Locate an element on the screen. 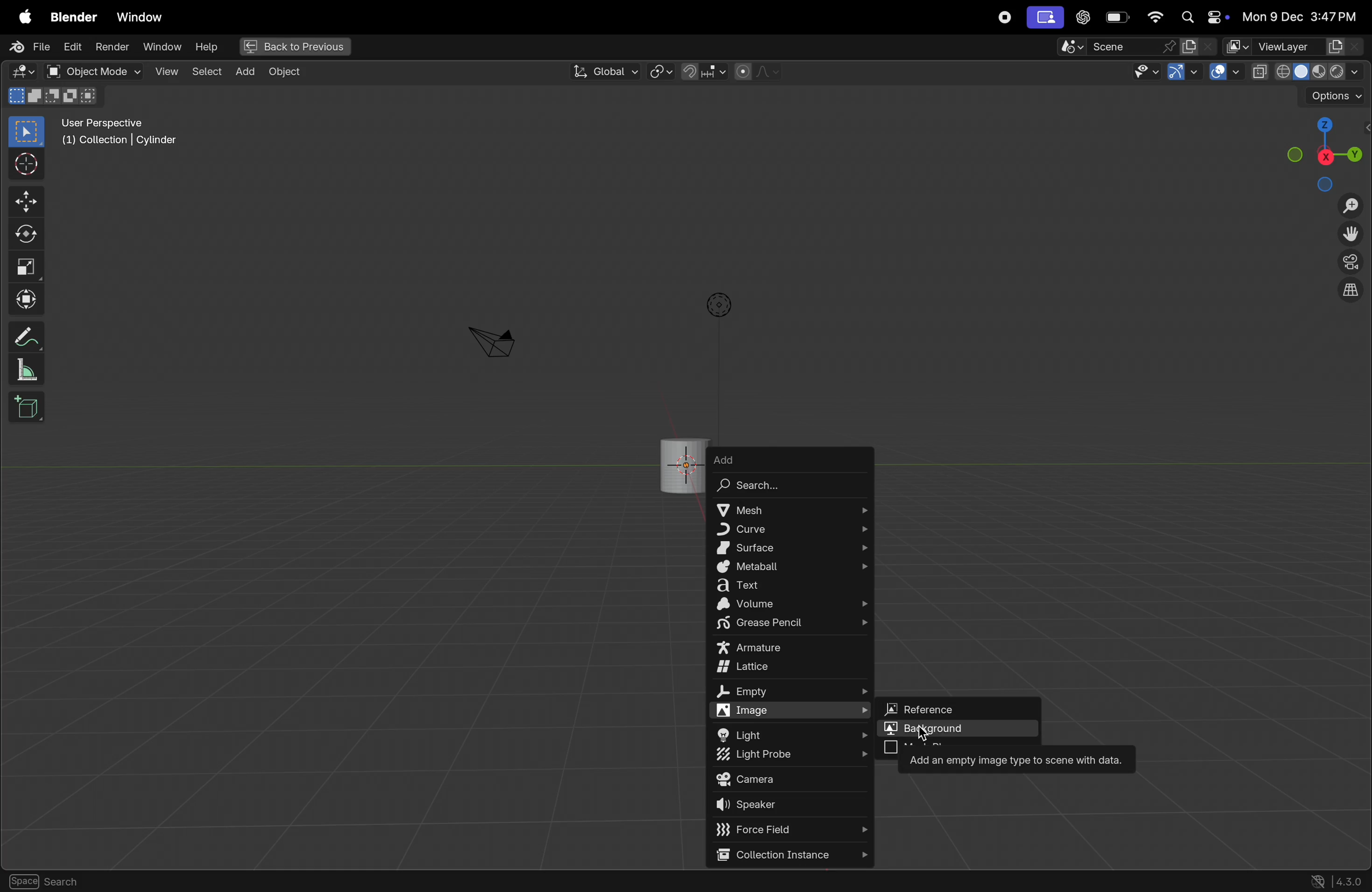  3d cube is located at coordinates (27, 407).